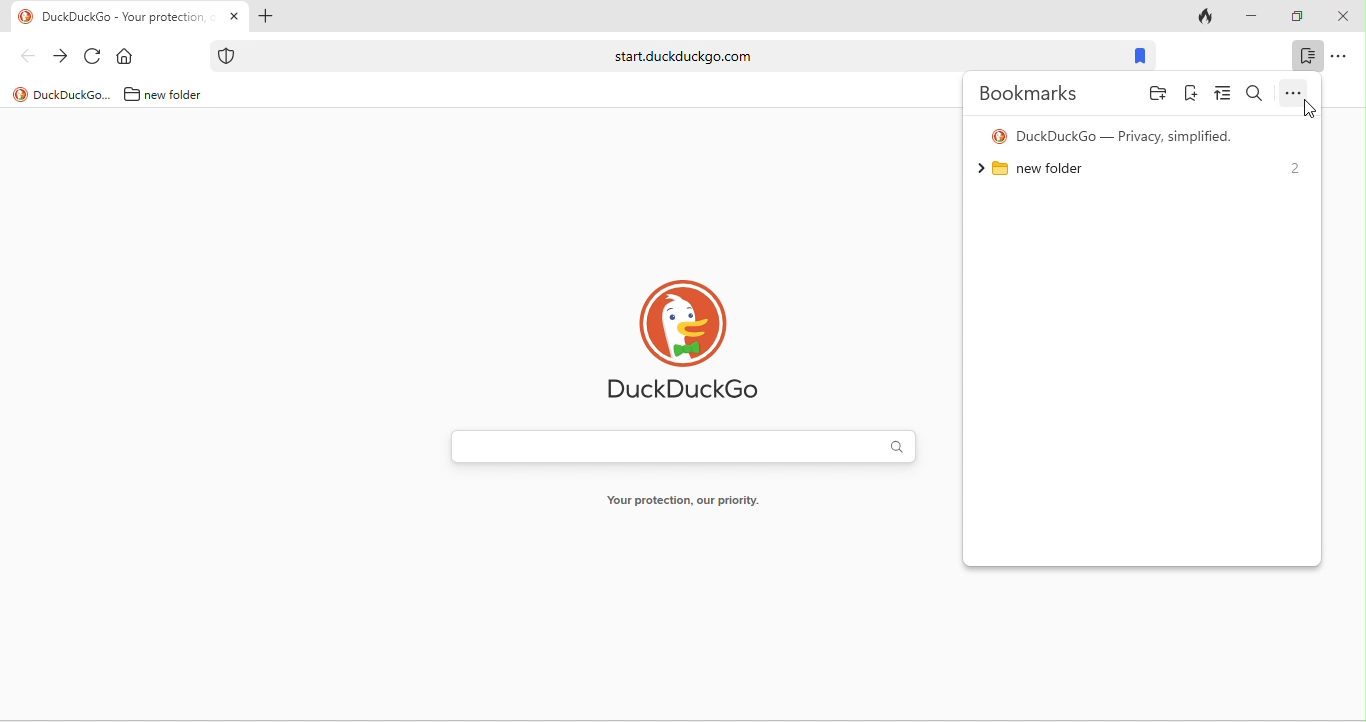 The height and width of the screenshot is (722, 1366). What do you see at coordinates (1140, 56) in the screenshot?
I see `bookmark` at bounding box center [1140, 56].